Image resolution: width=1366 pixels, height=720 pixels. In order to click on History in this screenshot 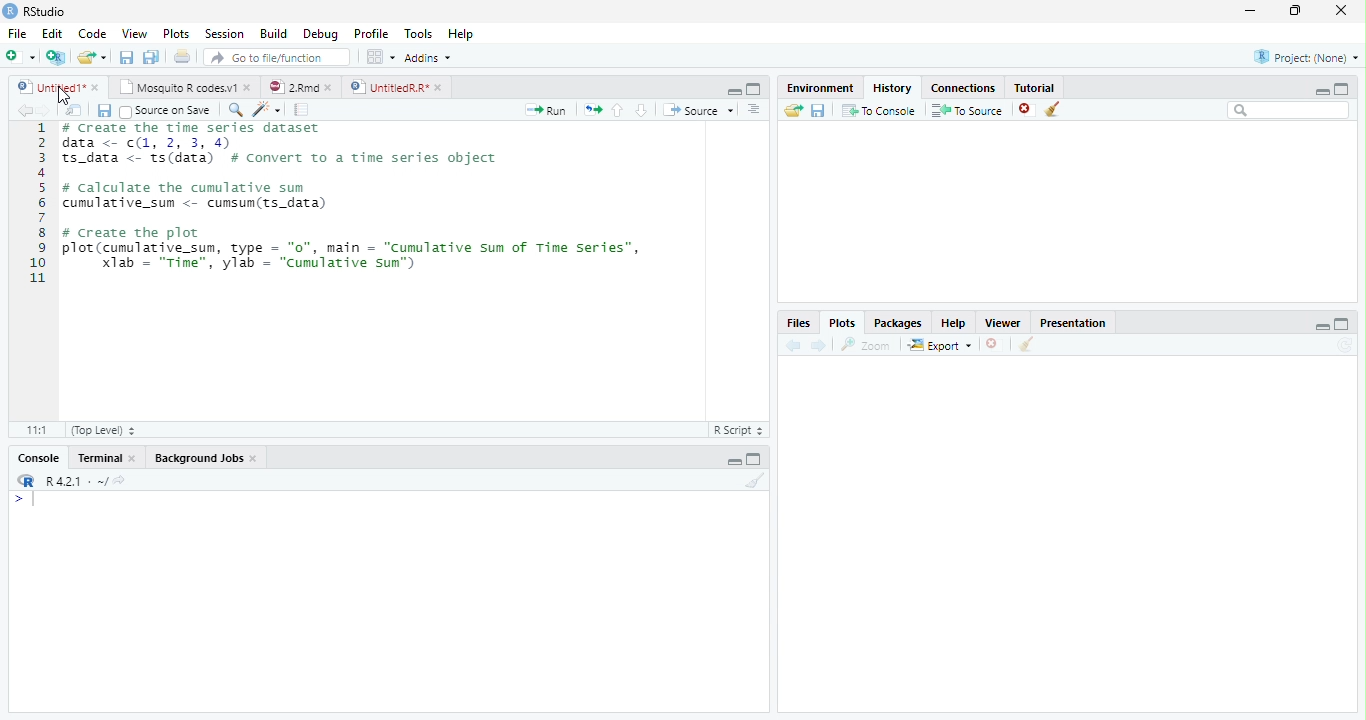, I will do `click(890, 88)`.